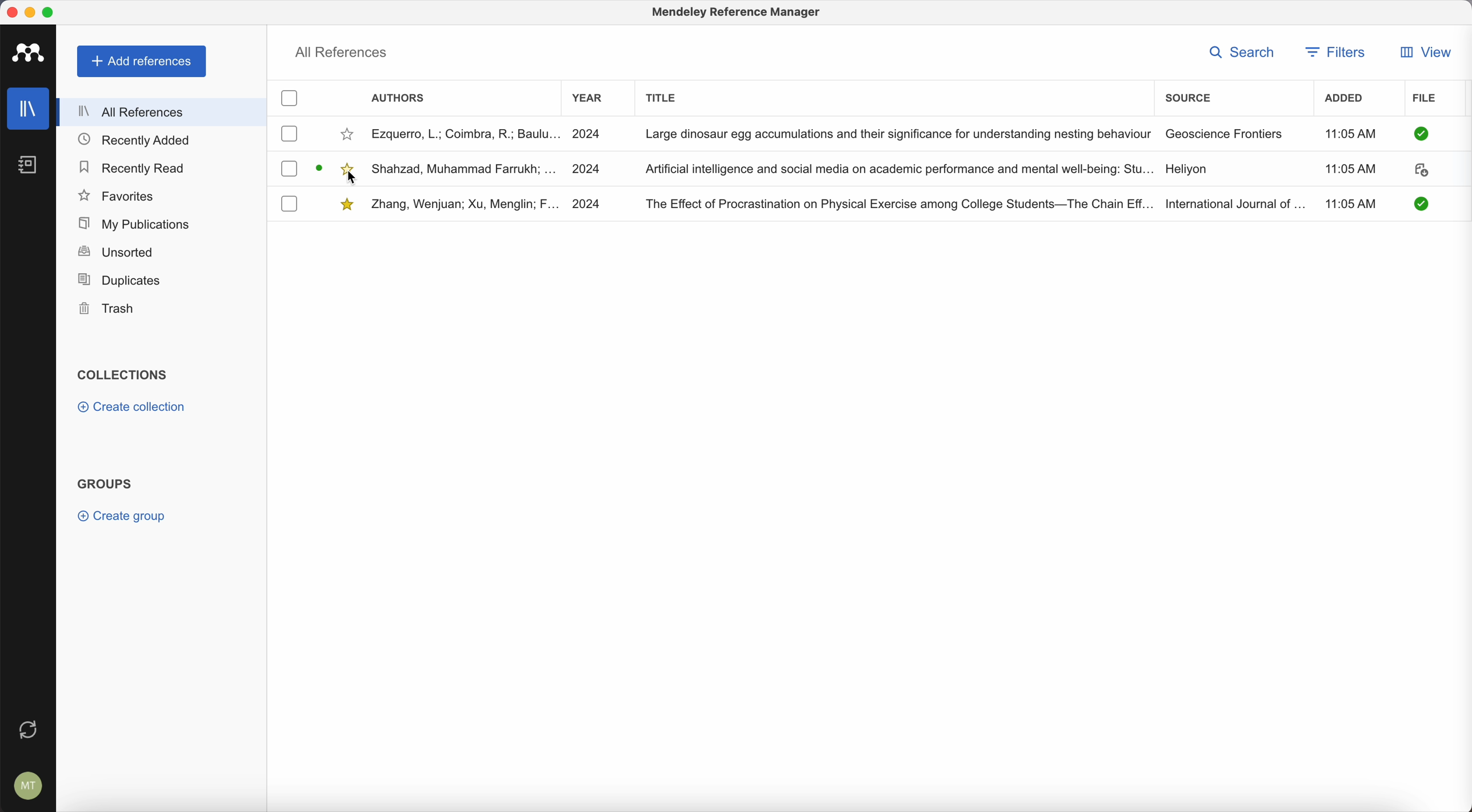  What do you see at coordinates (898, 202) in the screenshot?
I see `The Effect of Procastination on phtysical exercise college students - The Chain Eff...` at bounding box center [898, 202].